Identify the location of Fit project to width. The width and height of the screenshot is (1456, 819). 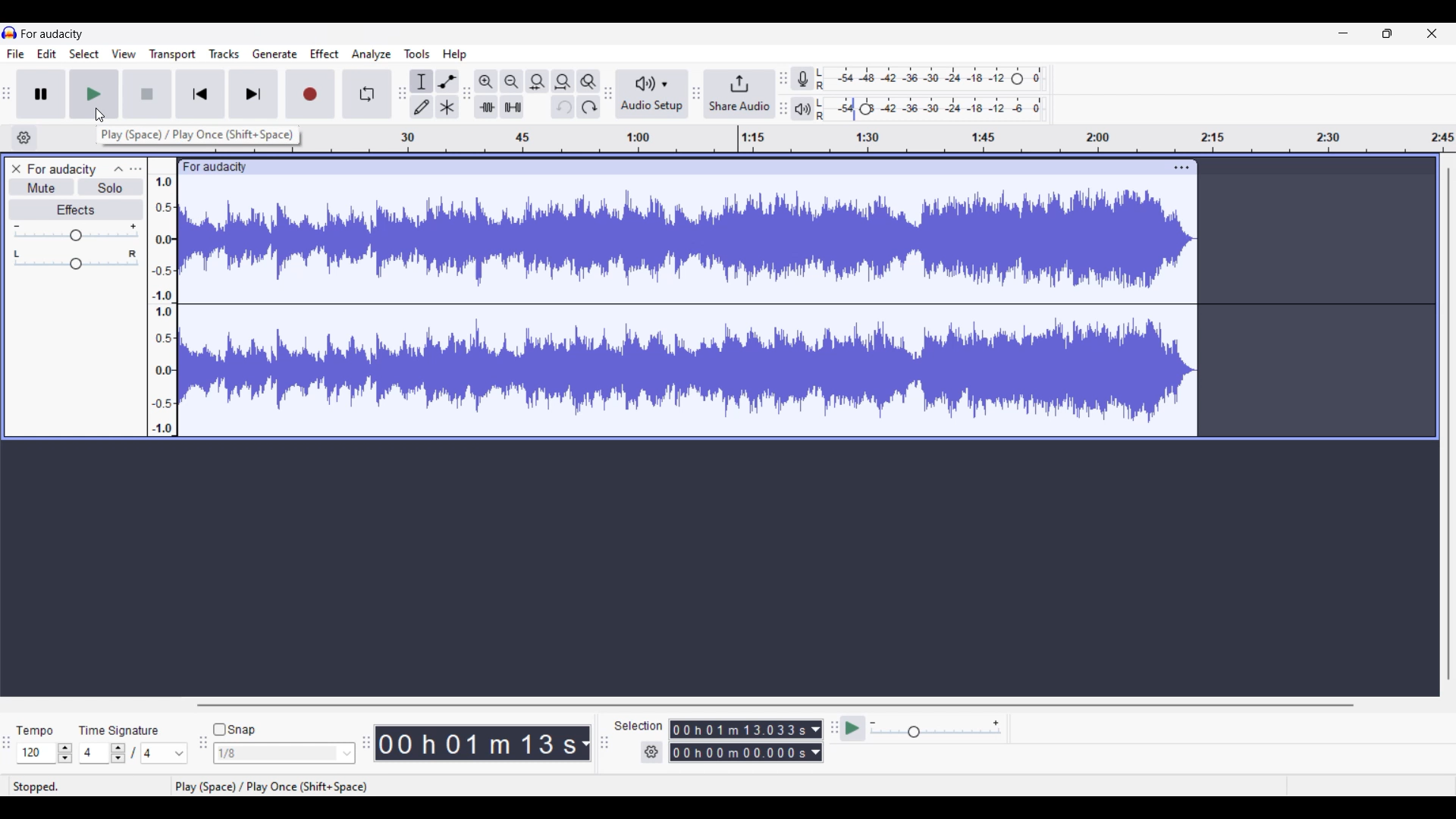
(563, 82).